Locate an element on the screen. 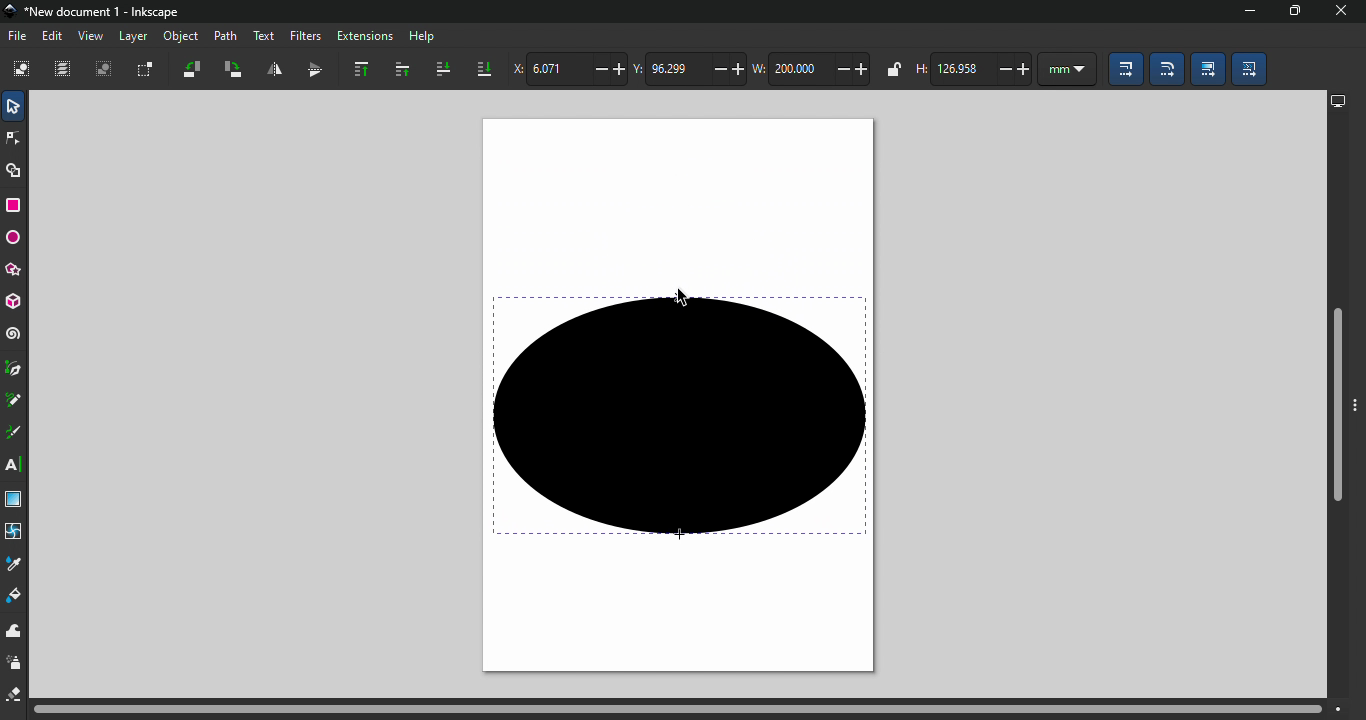 Image resolution: width=1366 pixels, height=720 pixels. star/polygon tool is located at coordinates (14, 269).